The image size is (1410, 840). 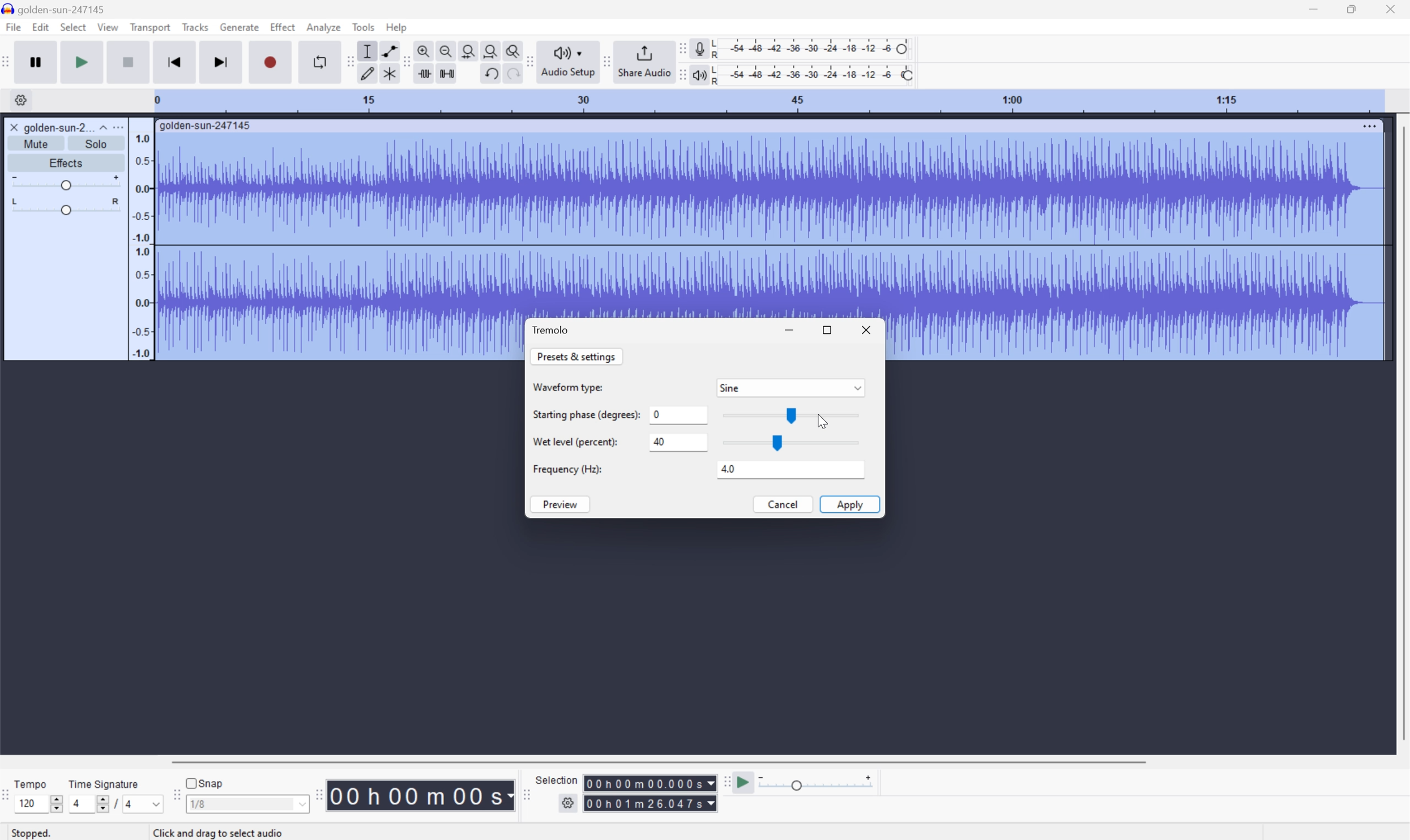 What do you see at coordinates (174, 62) in the screenshot?
I see `Skip to start` at bounding box center [174, 62].